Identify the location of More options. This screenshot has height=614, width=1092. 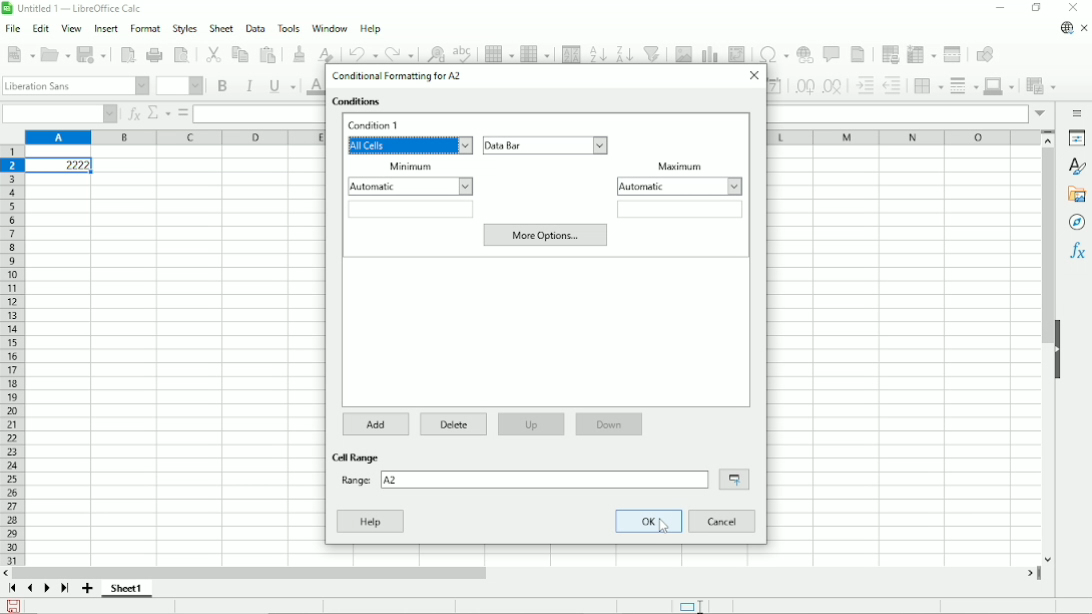
(545, 236).